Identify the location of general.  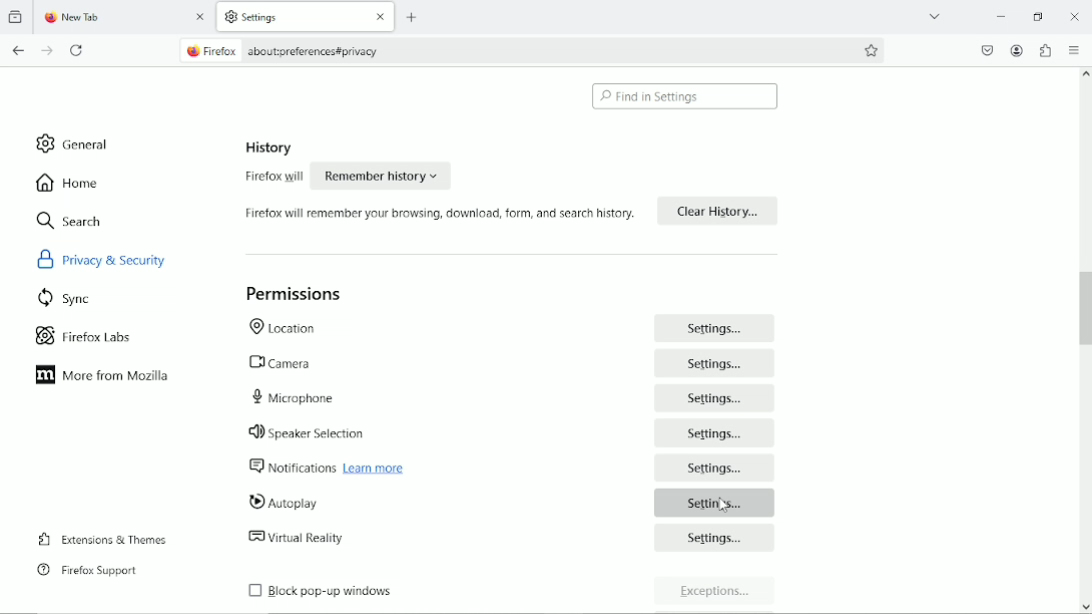
(75, 143).